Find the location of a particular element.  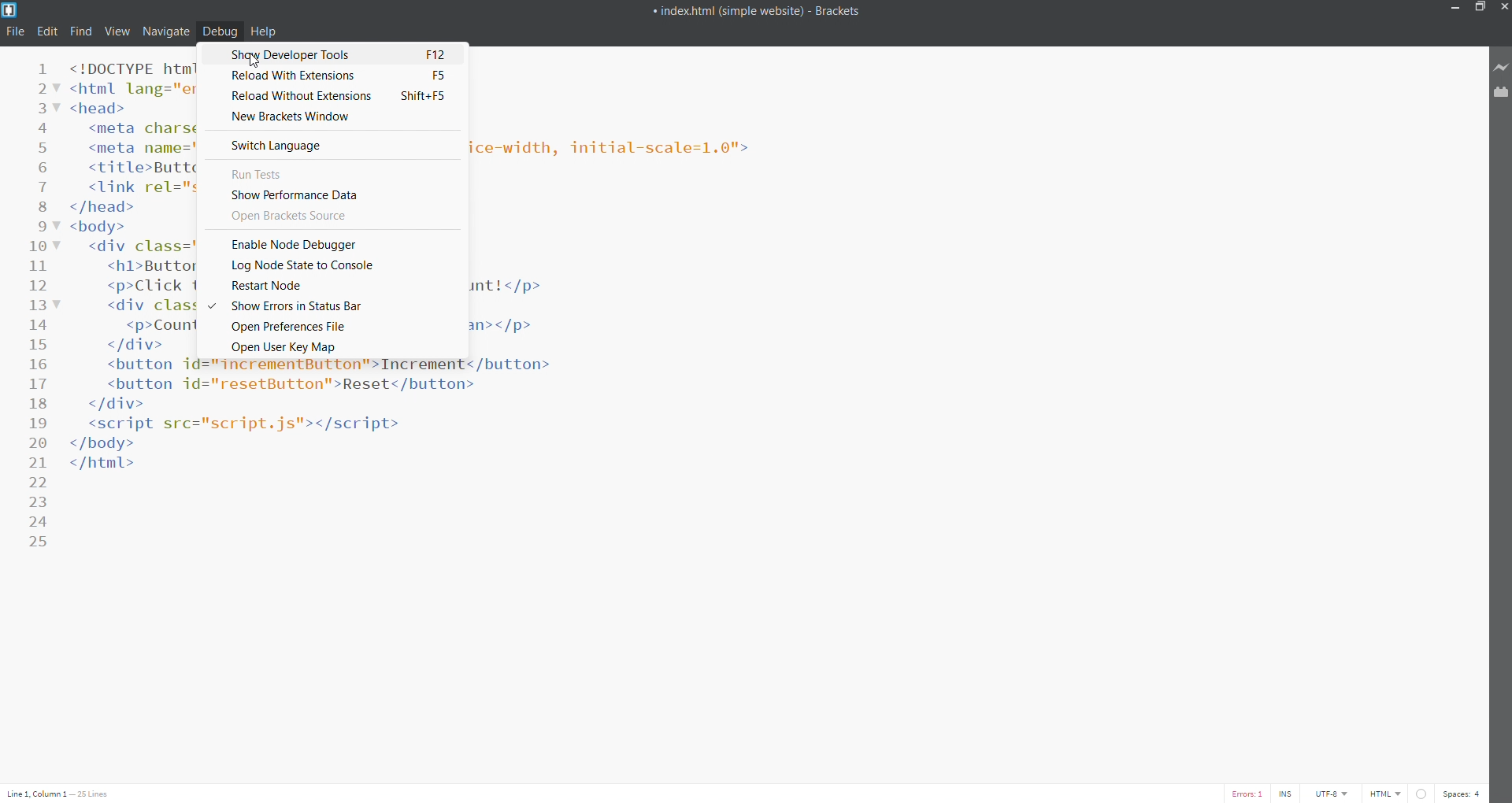

errorr is located at coordinates (1425, 794).